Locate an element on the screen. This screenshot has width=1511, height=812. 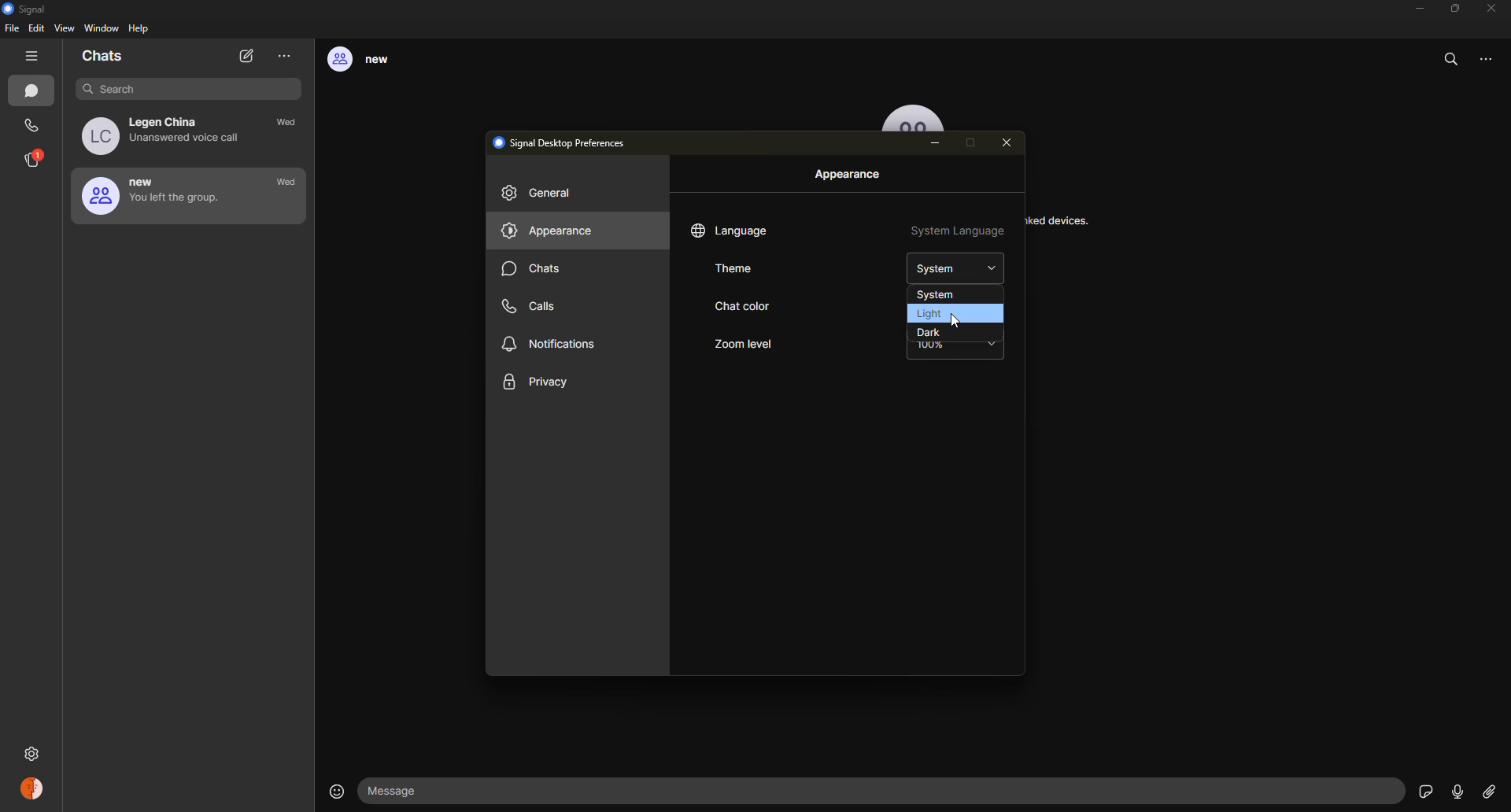
pointer cursor is located at coordinates (961, 322).